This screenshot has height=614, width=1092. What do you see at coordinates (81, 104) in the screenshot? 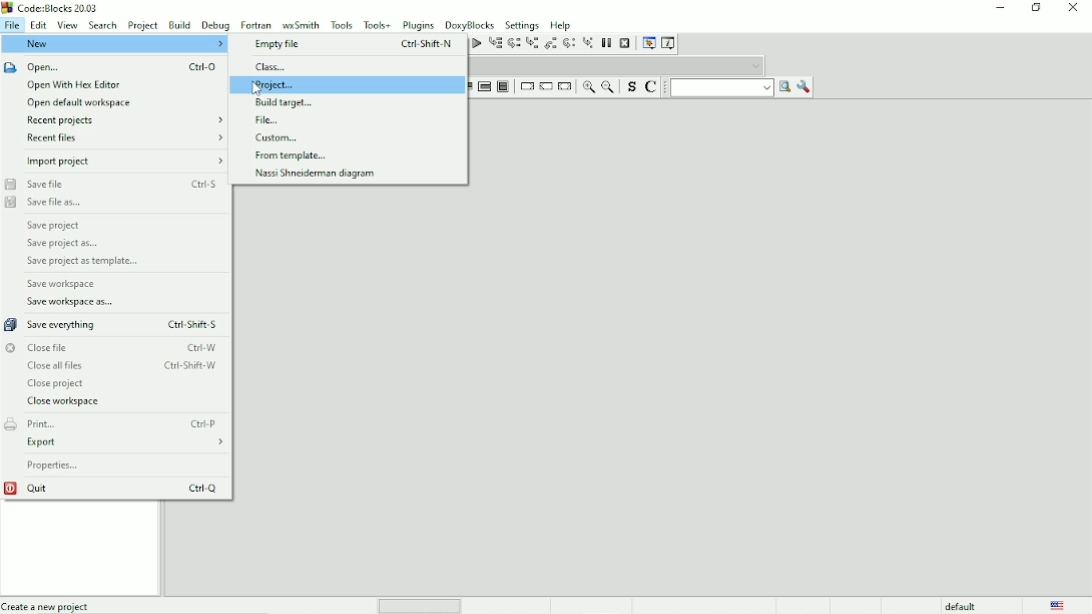
I see `Open default workspace` at bounding box center [81, 104].